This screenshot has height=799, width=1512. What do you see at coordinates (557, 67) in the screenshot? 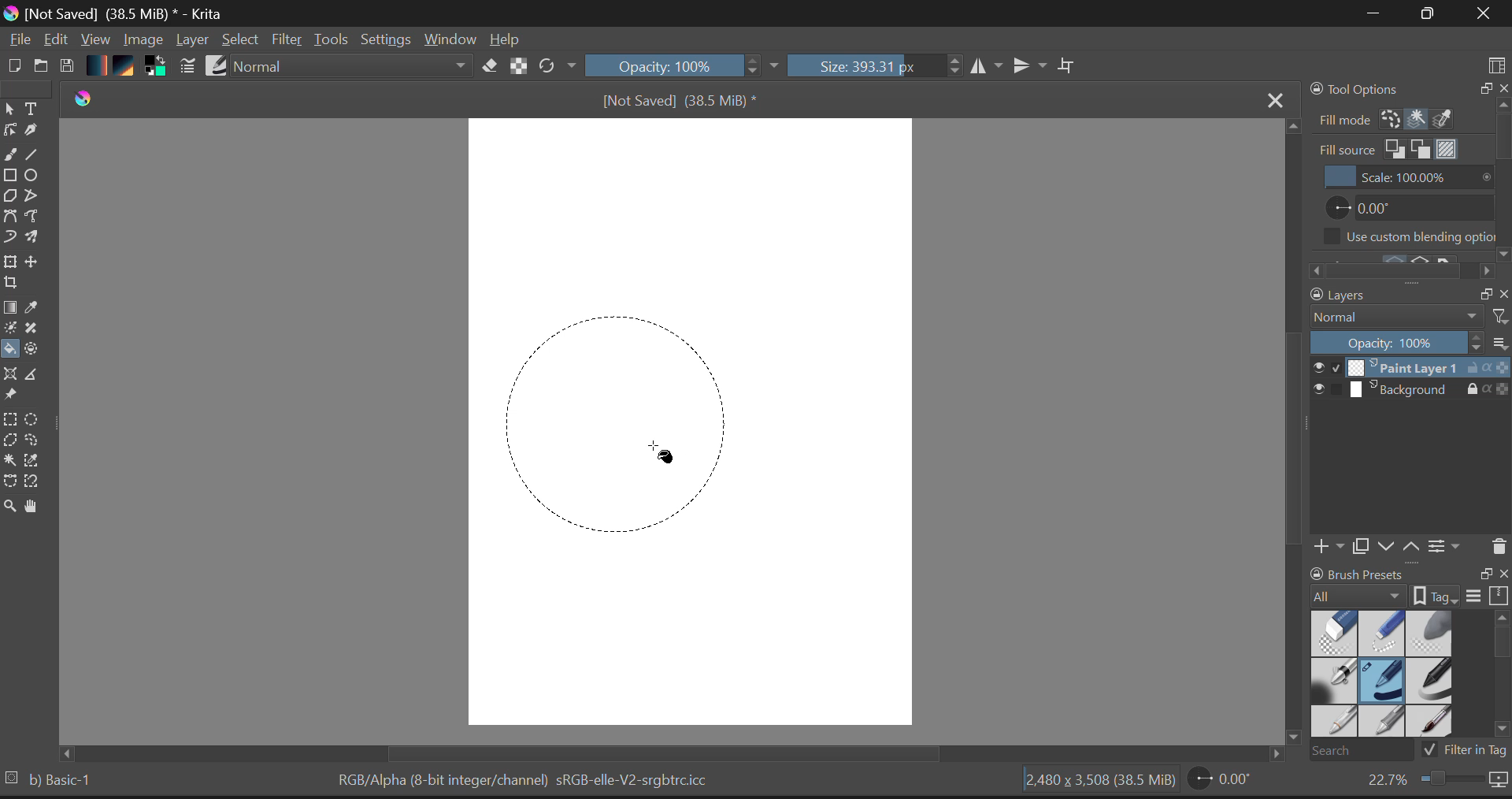
I see `Refresh` at bounding box center [557, 67].